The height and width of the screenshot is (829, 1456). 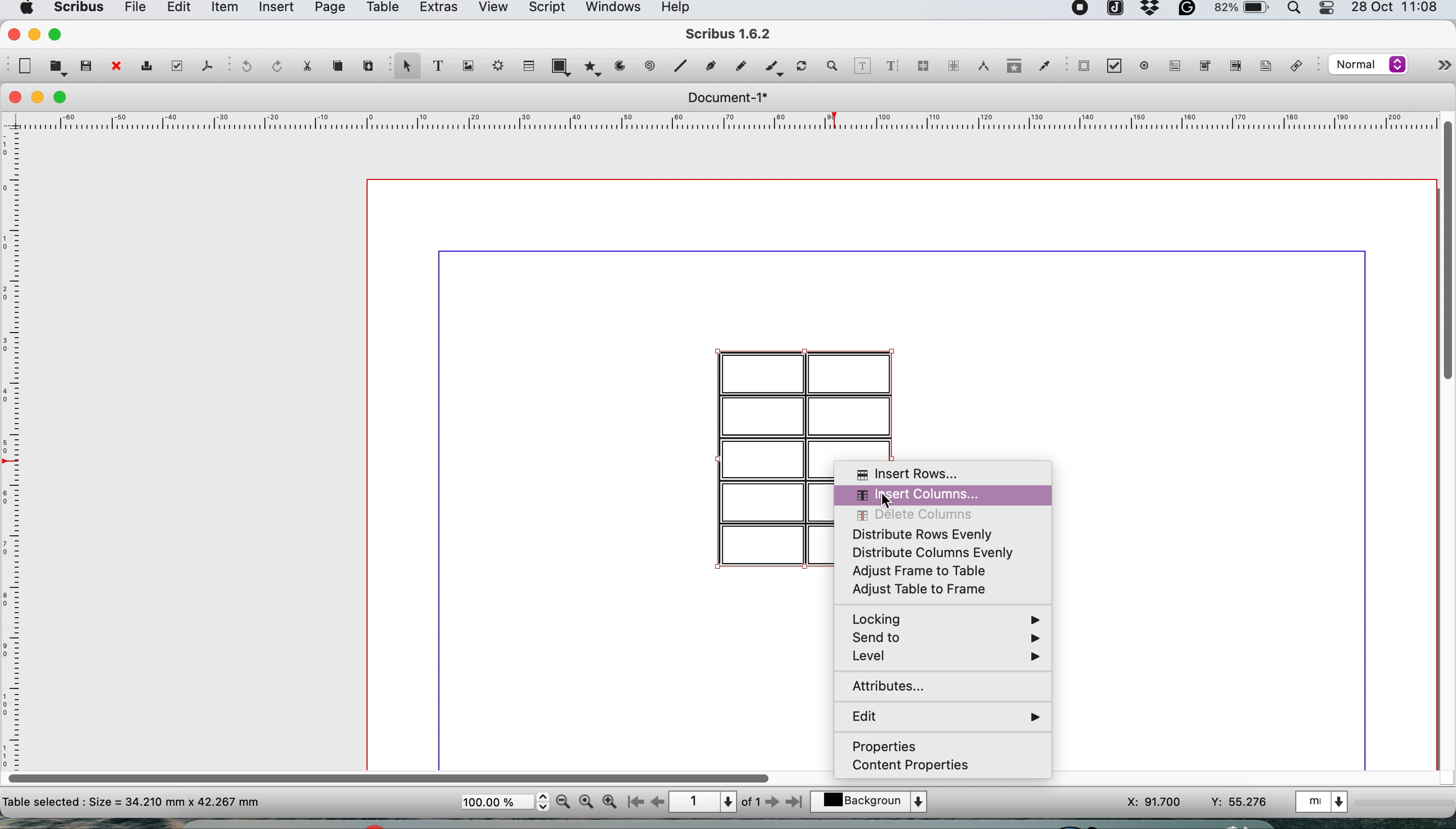 I want to click on grammarly, so click(x=1189, y=11).